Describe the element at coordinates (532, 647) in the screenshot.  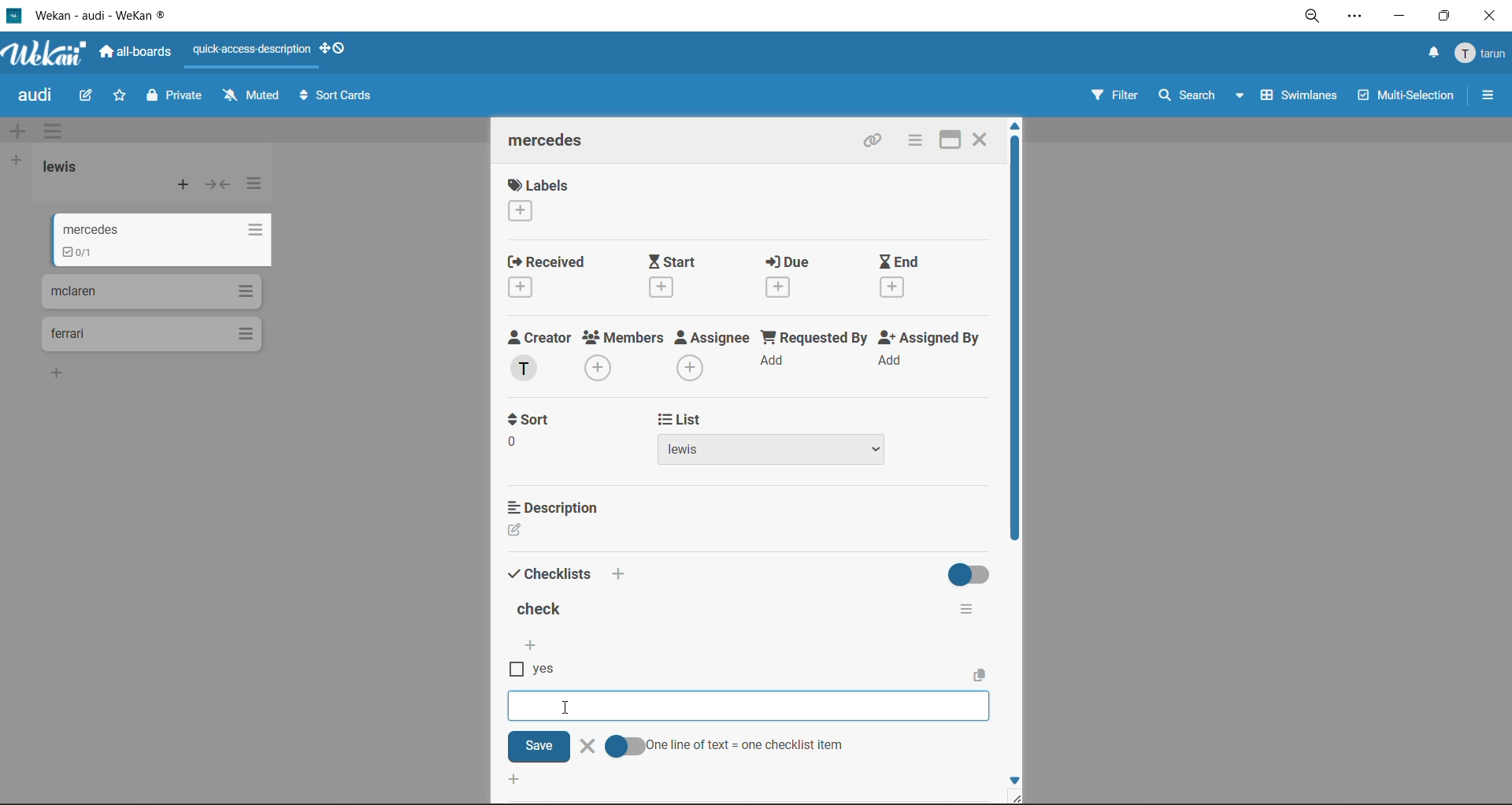
I see `add checklist option` at that location.